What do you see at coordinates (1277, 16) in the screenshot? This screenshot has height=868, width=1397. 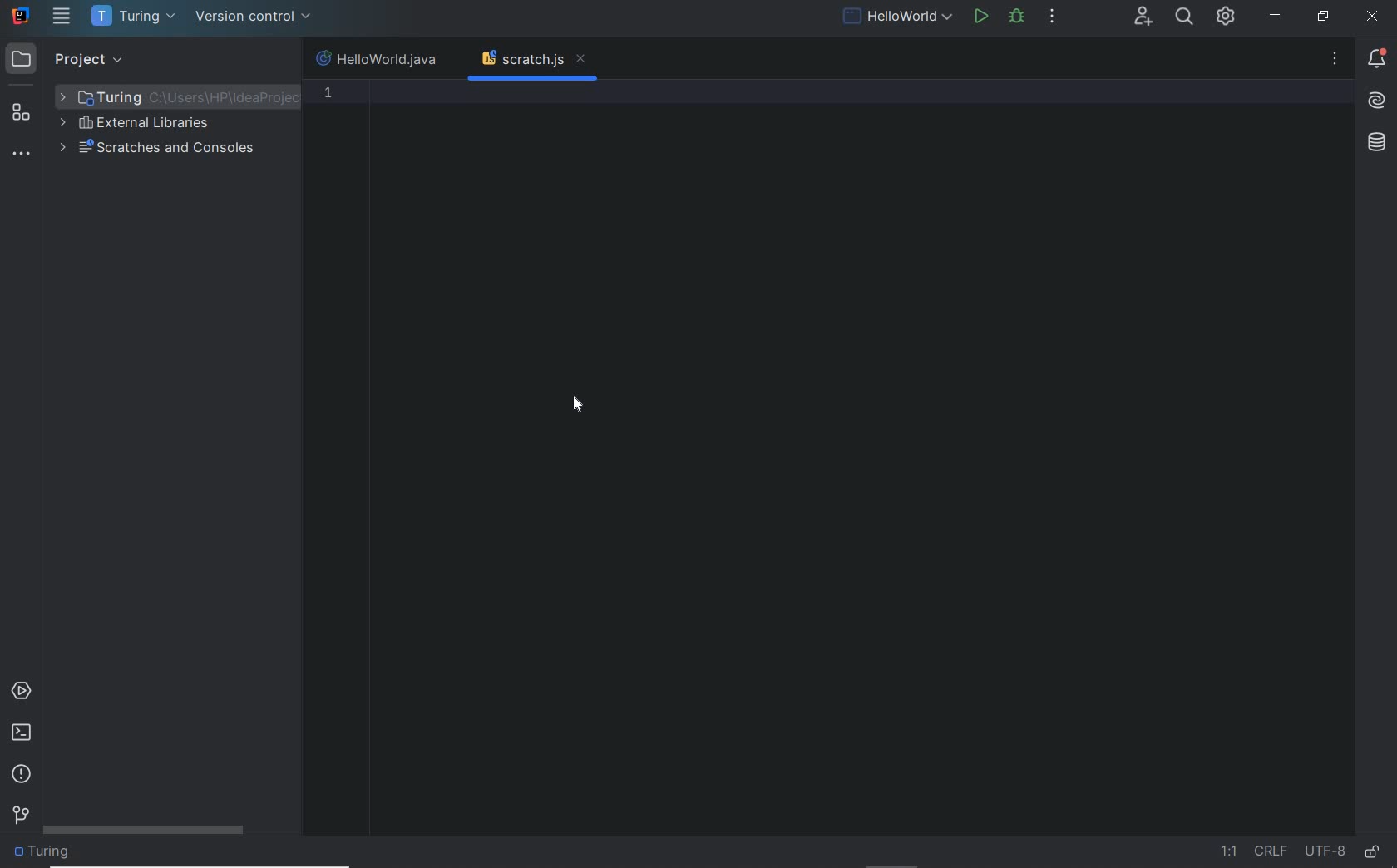 I see `MINIMIZE` at bounding box center [1277, 16].